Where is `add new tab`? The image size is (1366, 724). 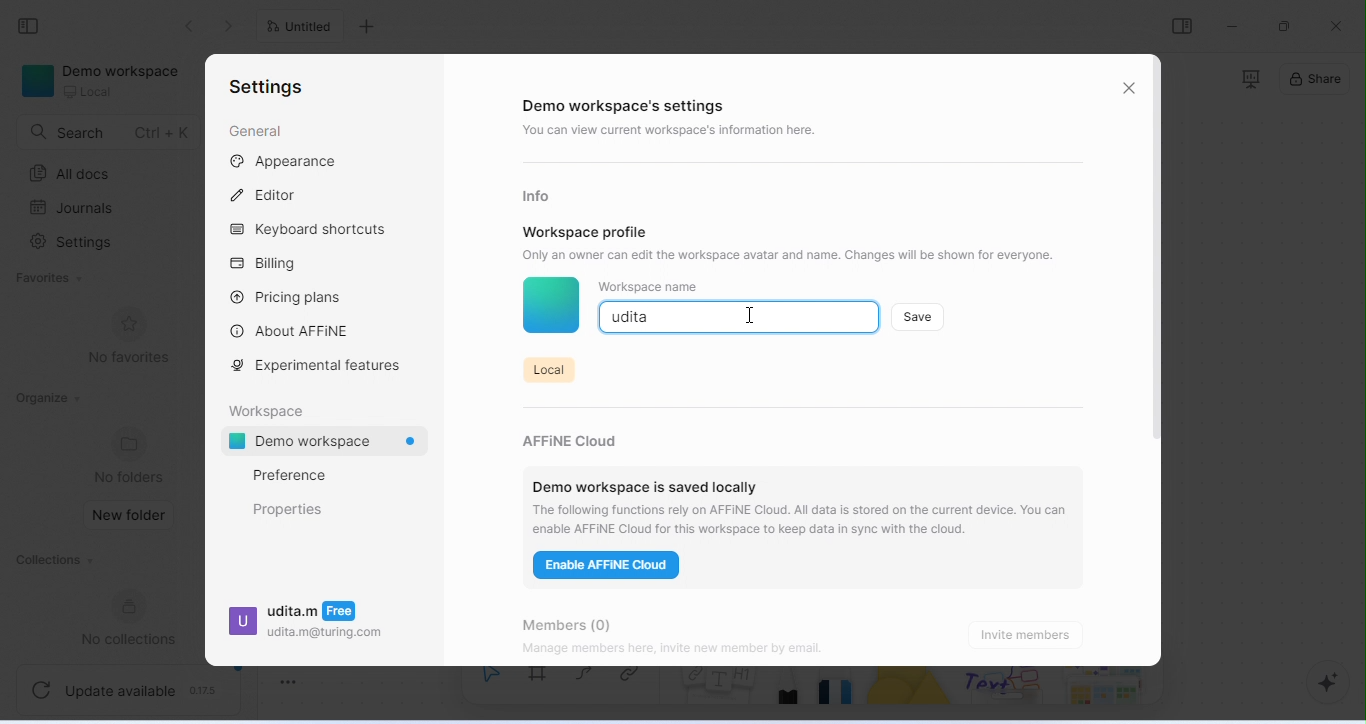
add new tab is located at coordinates (369, 27).